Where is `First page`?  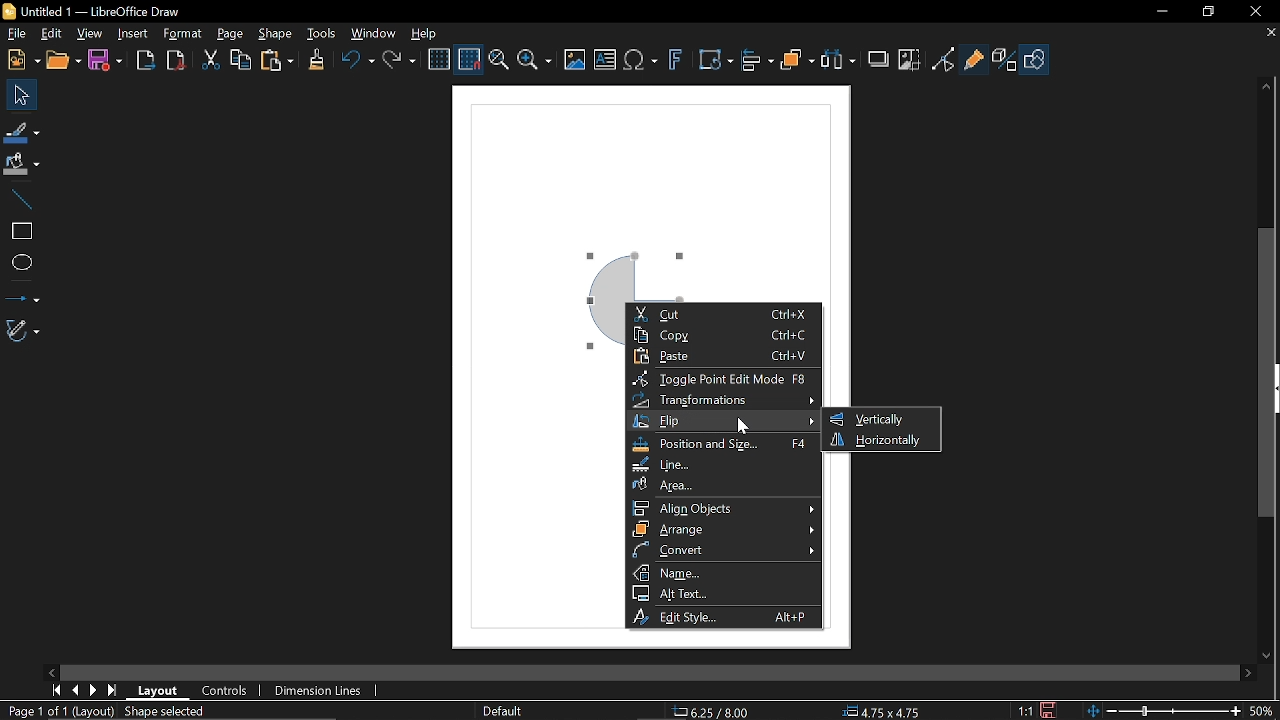
First page is located at coordinates (54, 690).